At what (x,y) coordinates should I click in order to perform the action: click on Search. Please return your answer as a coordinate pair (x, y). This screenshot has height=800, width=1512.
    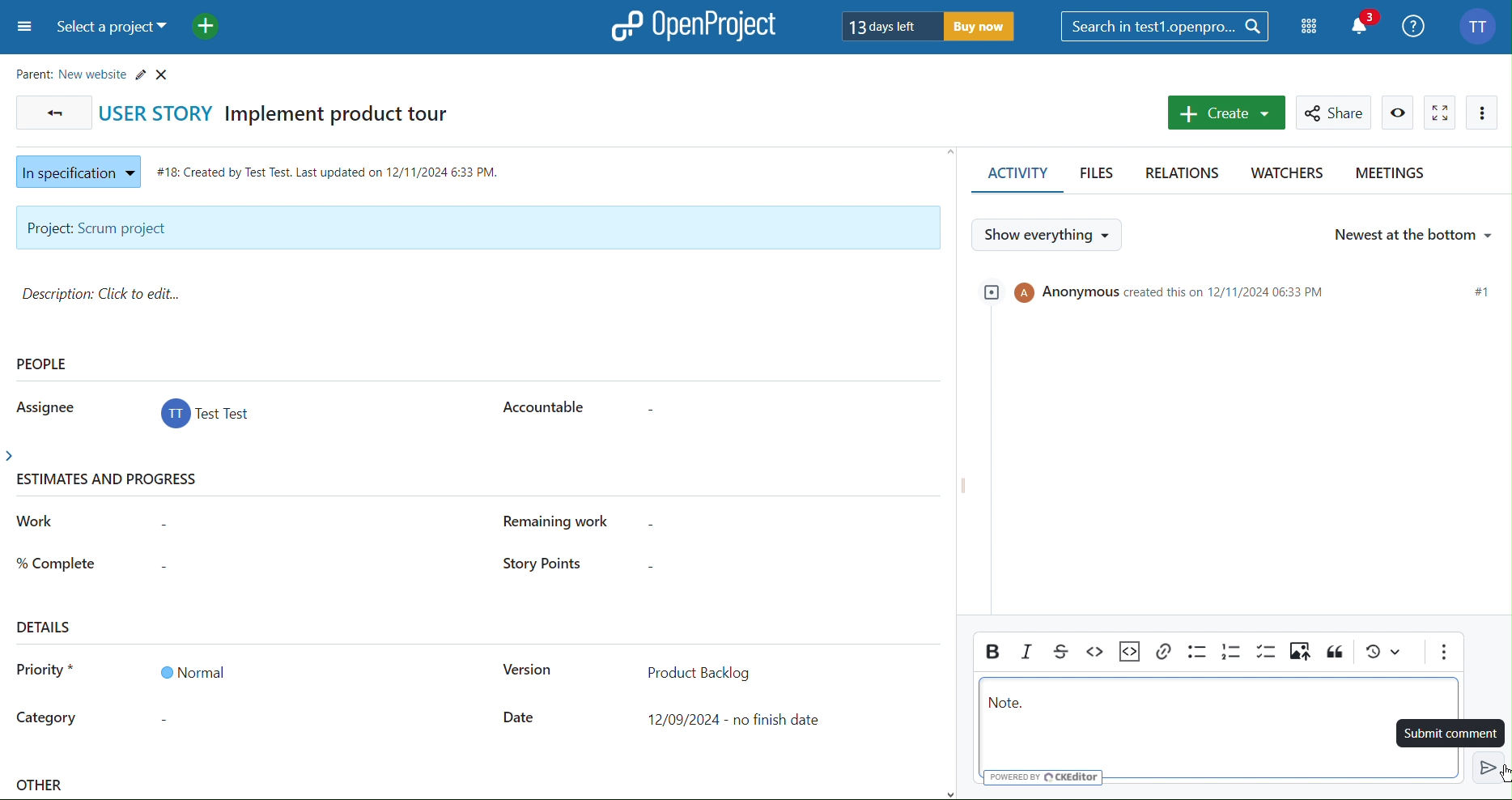
    Looking at the image, I should click on (1166, 26).